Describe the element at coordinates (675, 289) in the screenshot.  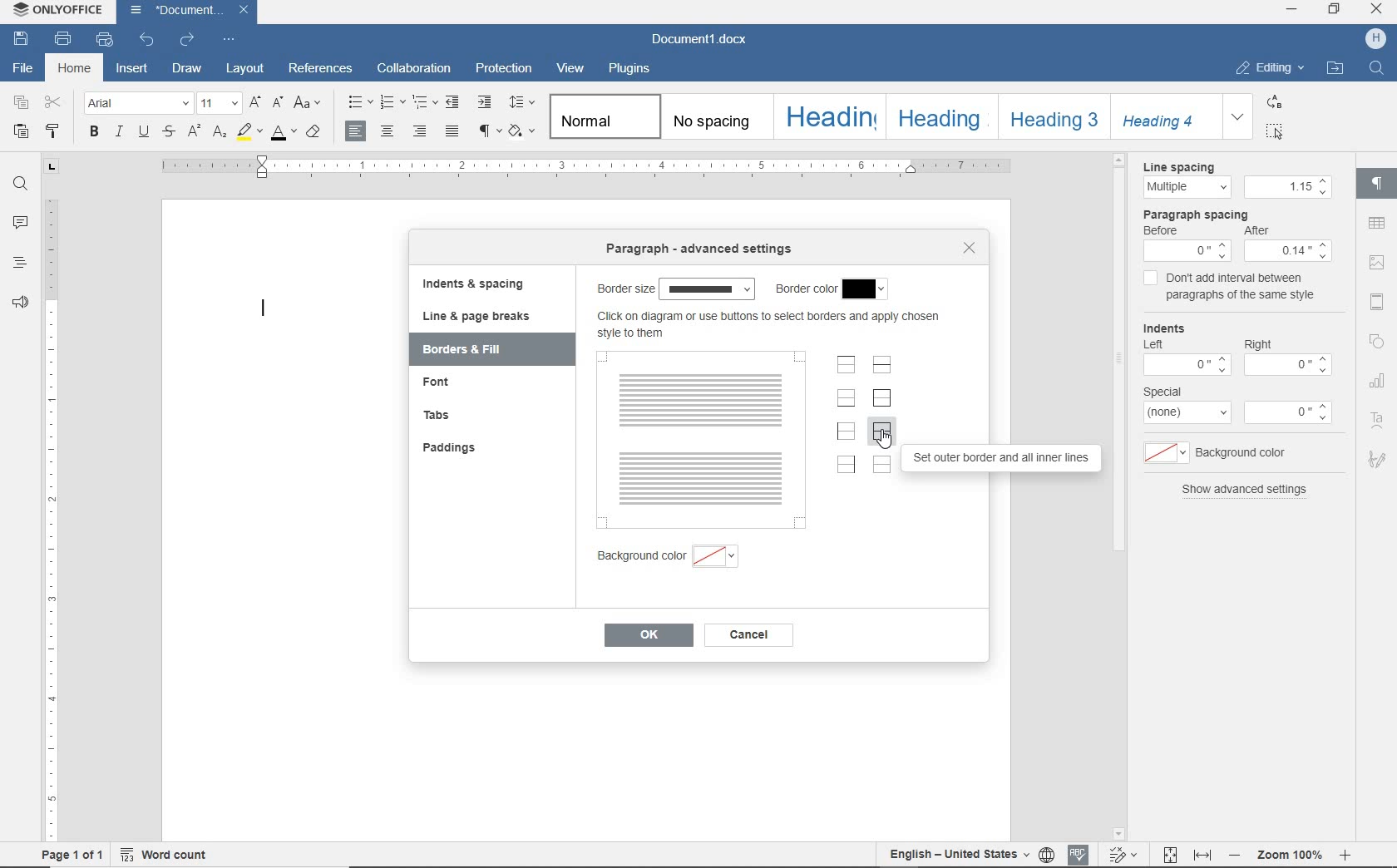
I see `border size` at that location.